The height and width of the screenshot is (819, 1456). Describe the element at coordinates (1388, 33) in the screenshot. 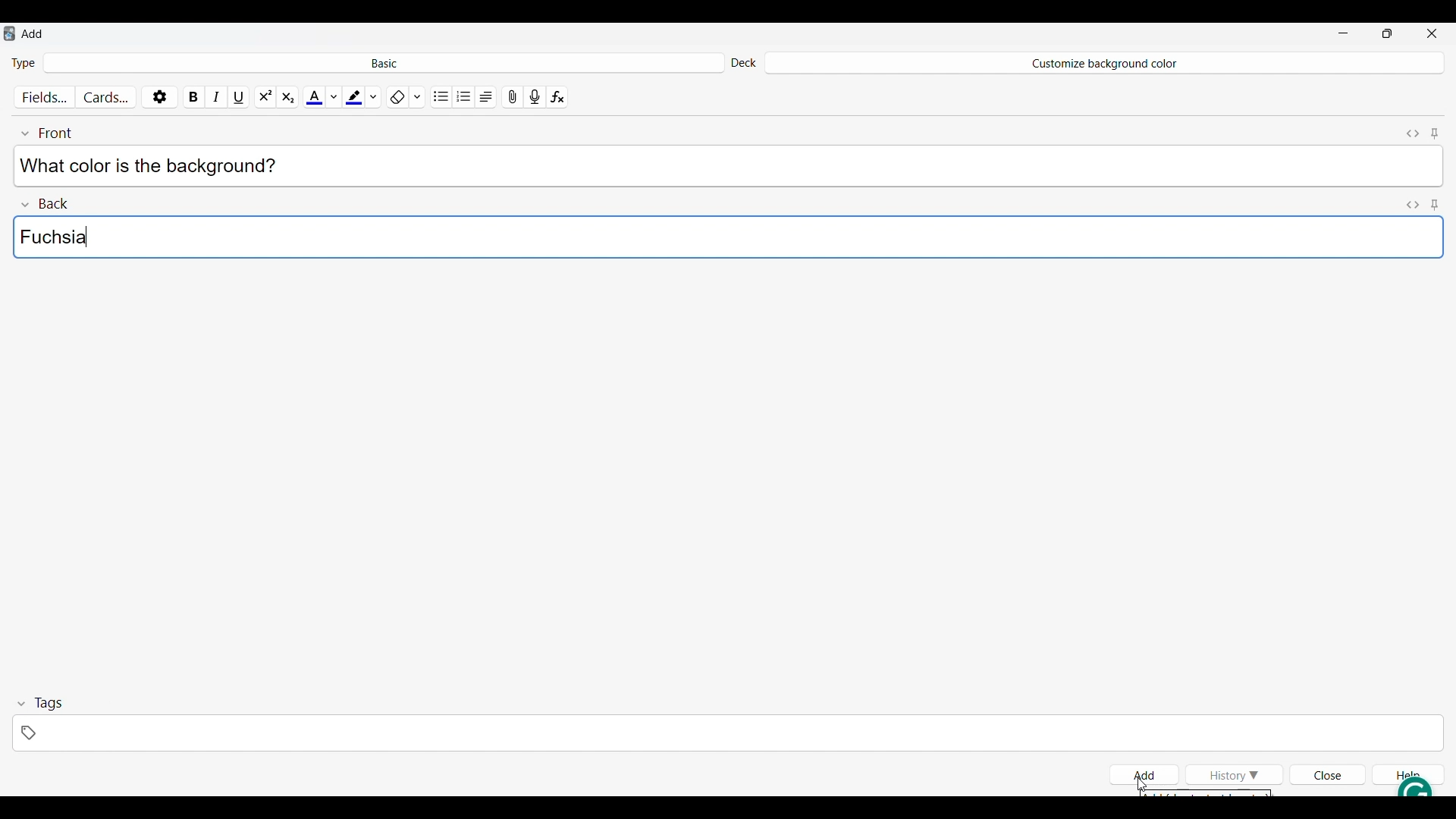

I see `Show interface in smaller tab` at that location.